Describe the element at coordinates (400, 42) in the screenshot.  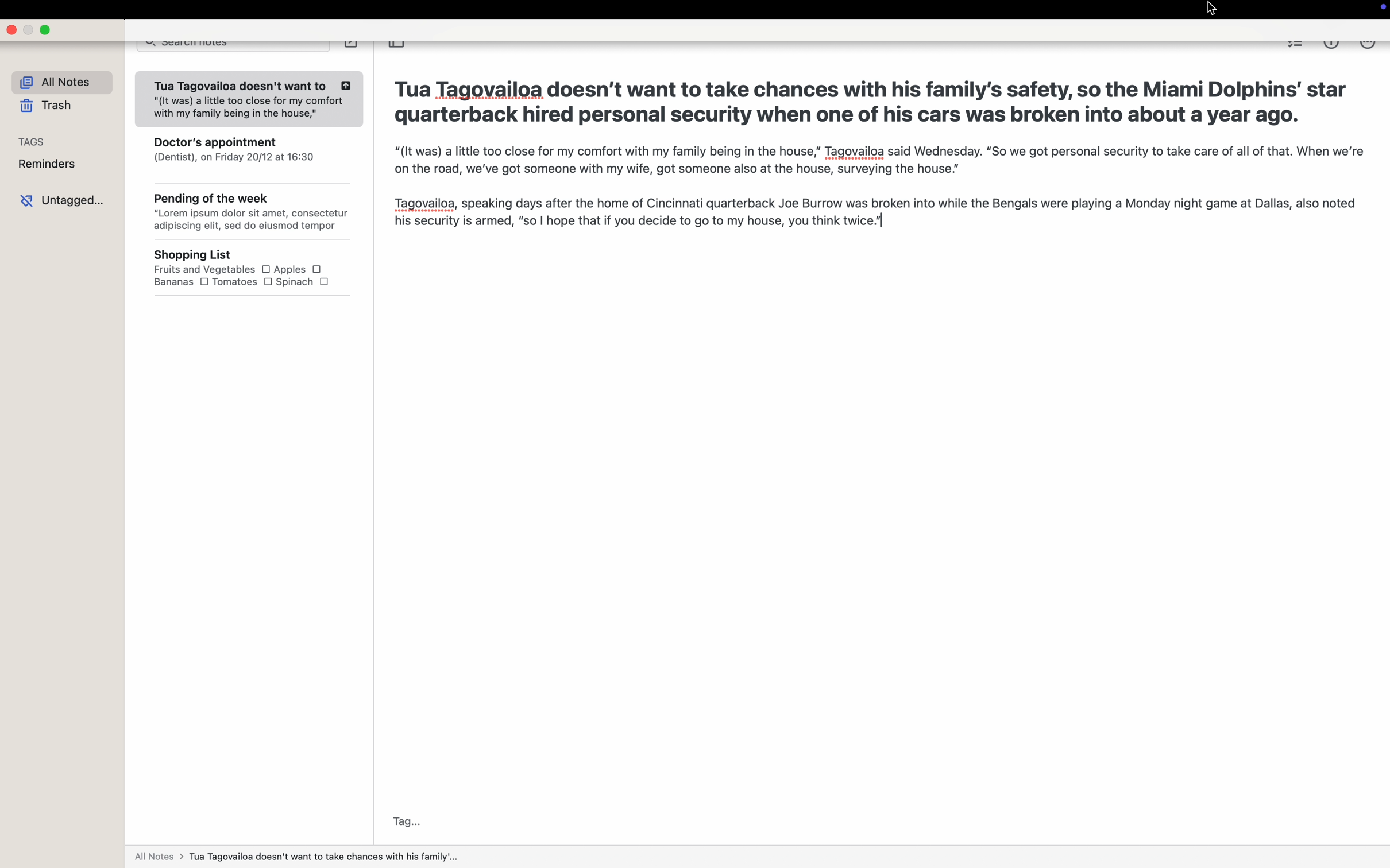
I see `toggle sidebar` at that location.